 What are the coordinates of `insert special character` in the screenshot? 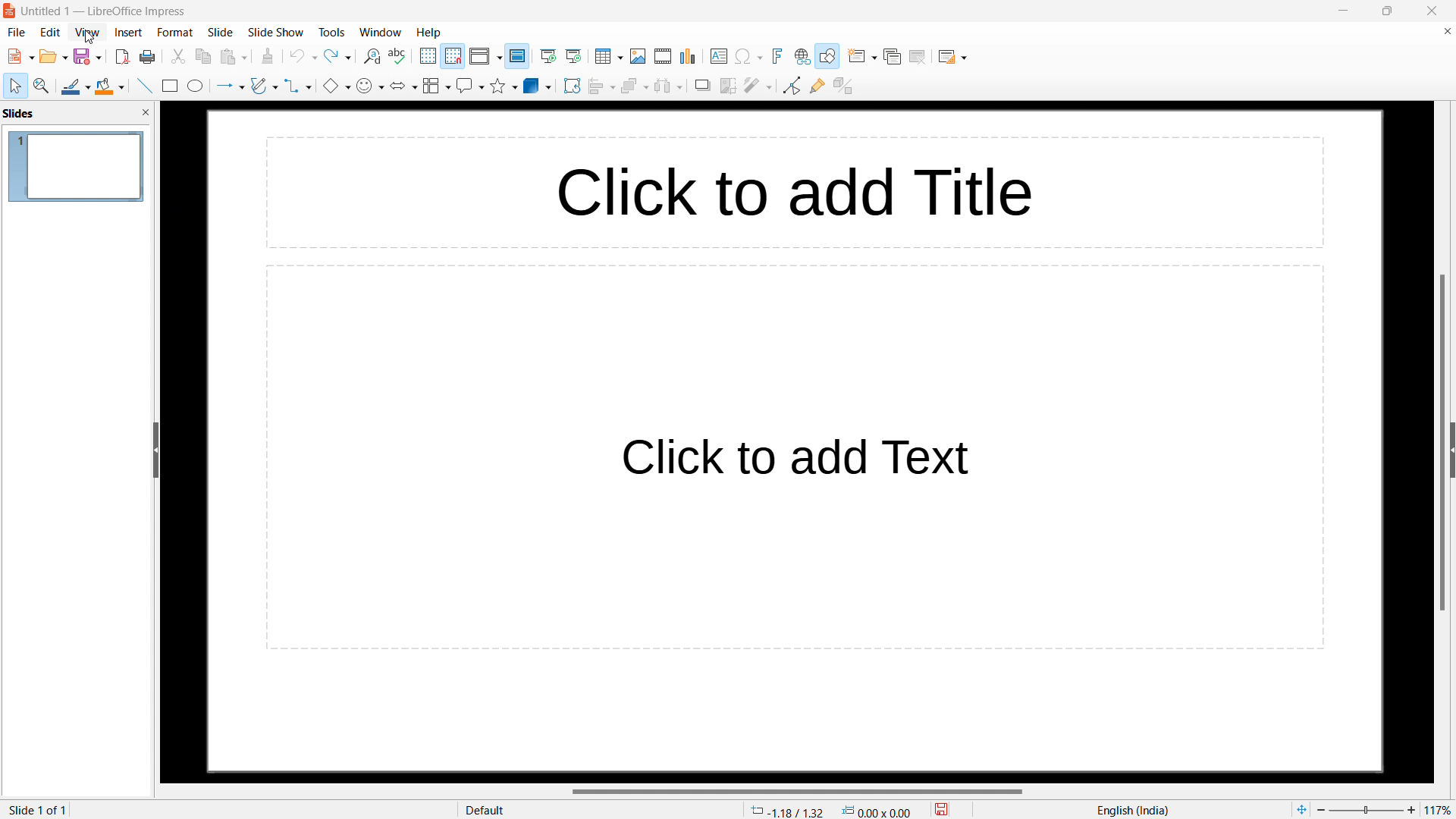 It's located at (748, 56).